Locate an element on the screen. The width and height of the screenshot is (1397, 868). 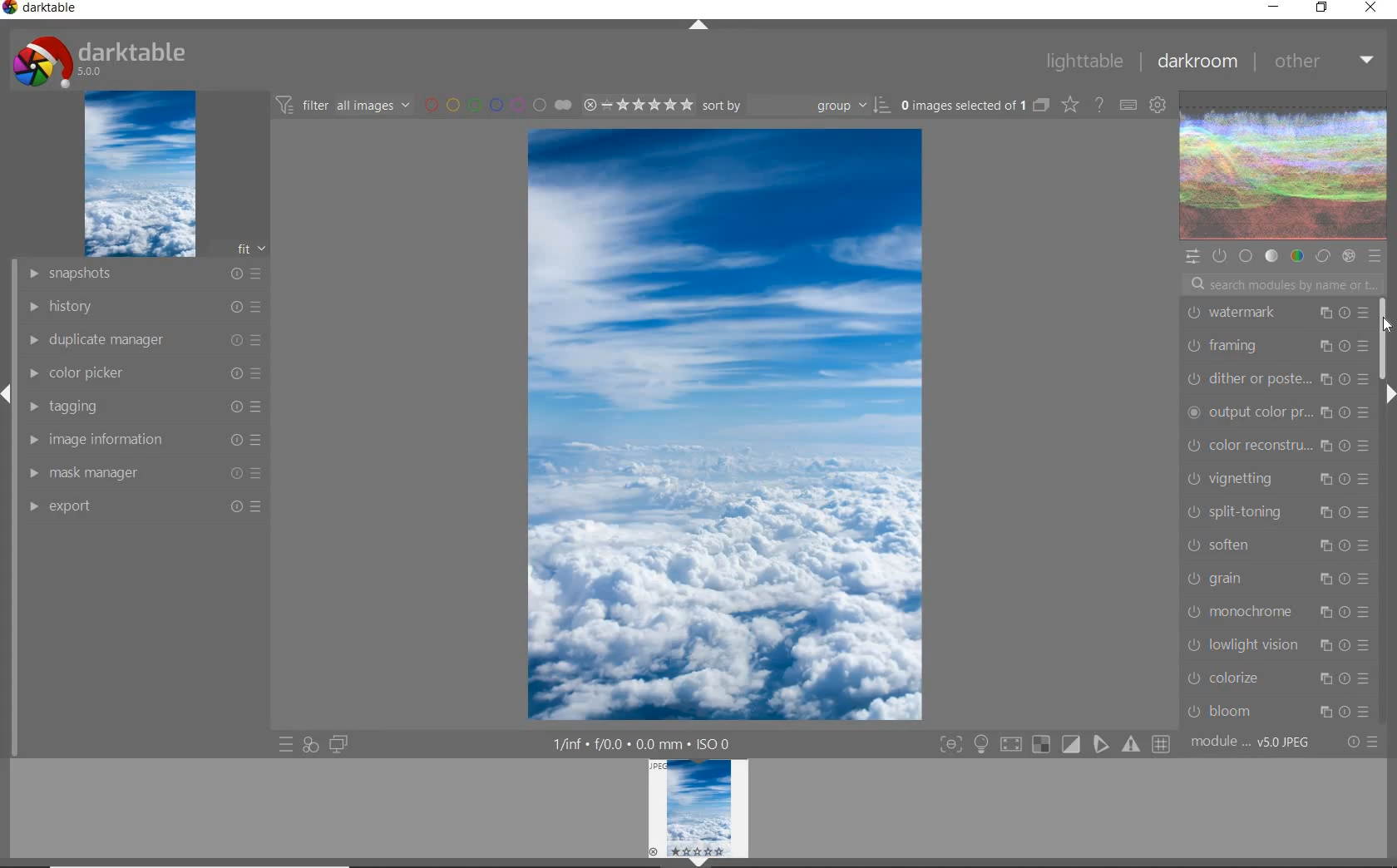
MINIMIZE is located at coordinates (1273, 6).